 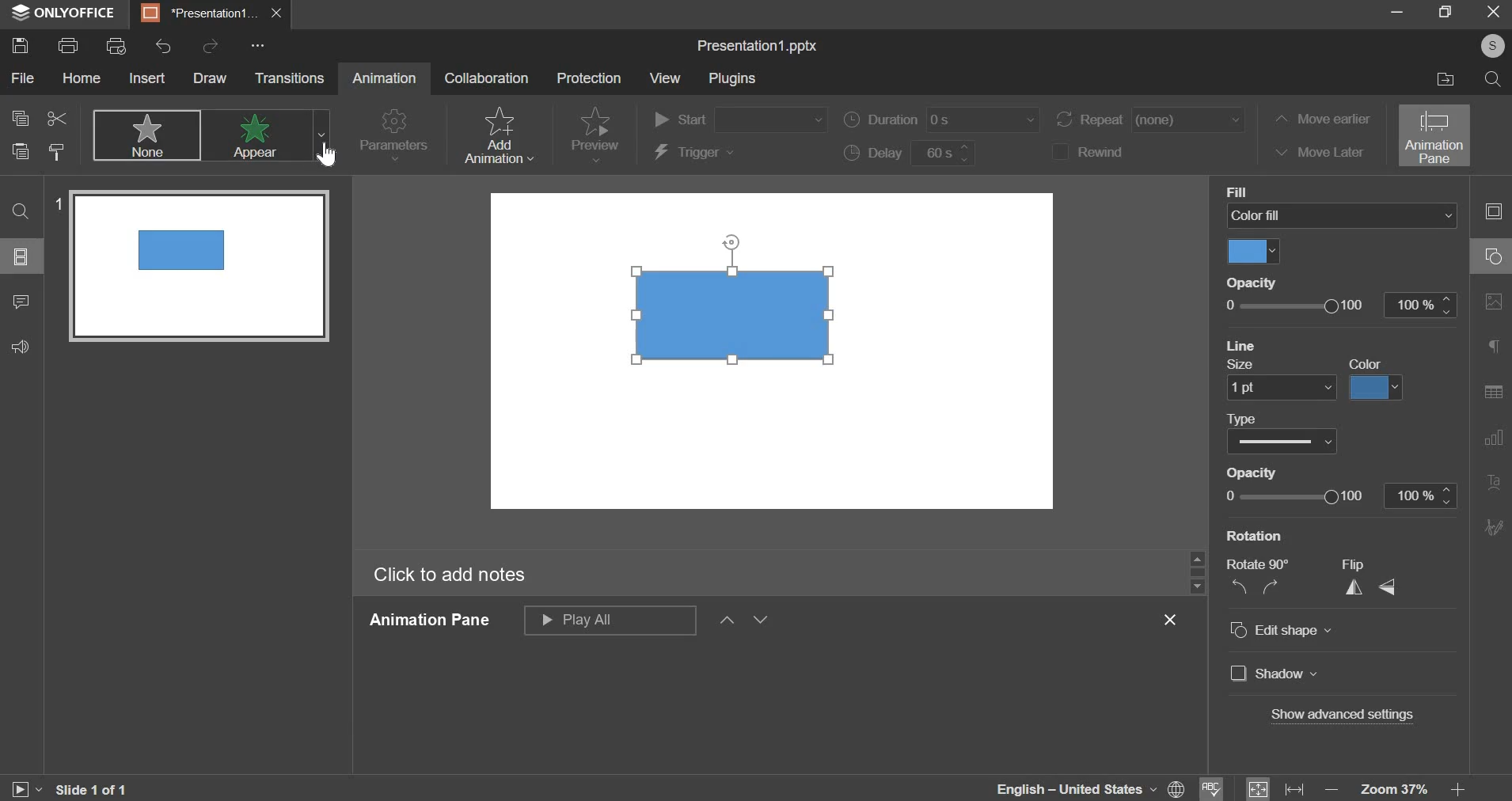 What do you see at coordinates (1293, 788) in the screenshot?
I see `fit to width` at bounding box center [1293, 788].